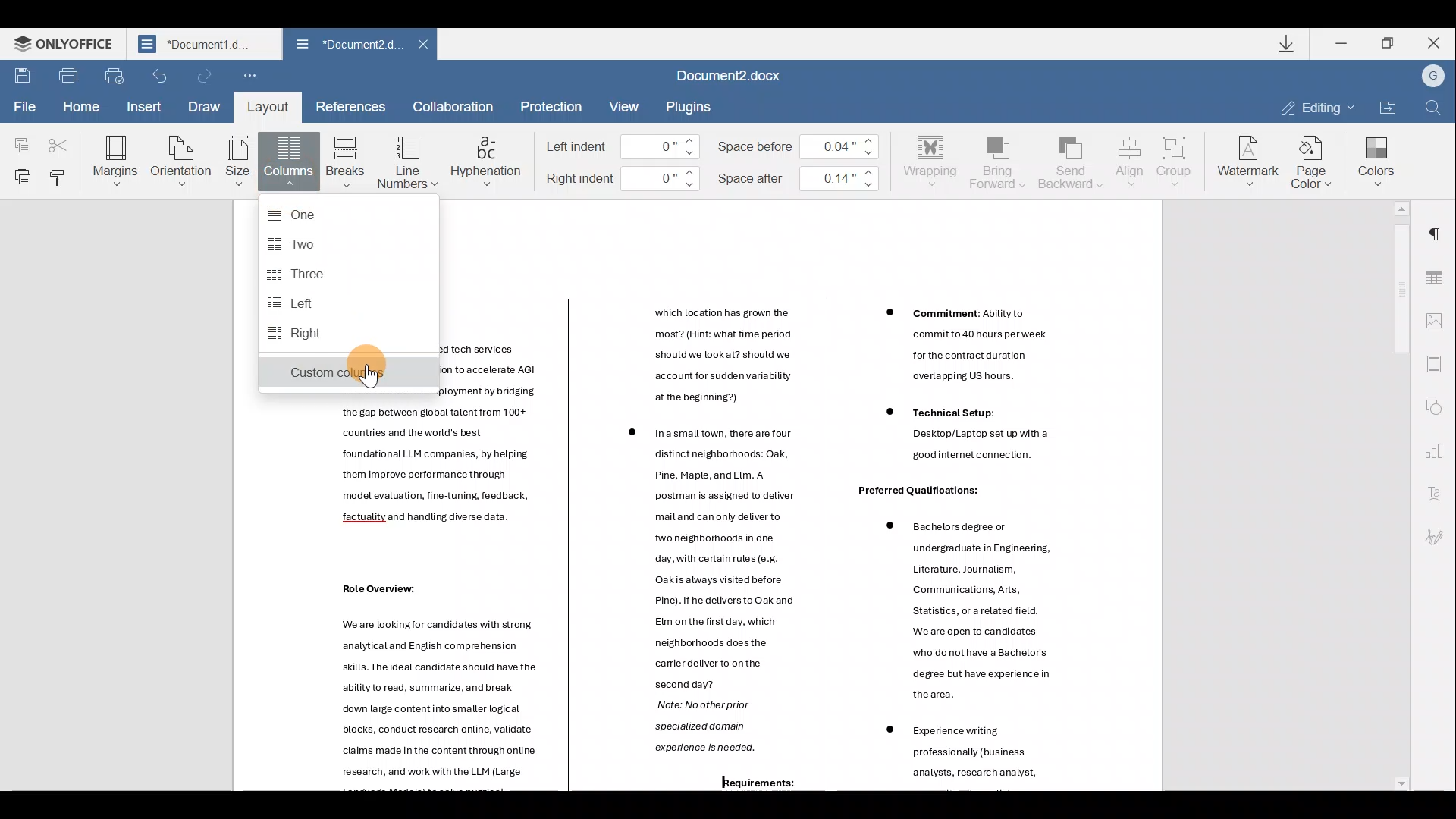  I want to click on Shape settings, so click(1439, 409).